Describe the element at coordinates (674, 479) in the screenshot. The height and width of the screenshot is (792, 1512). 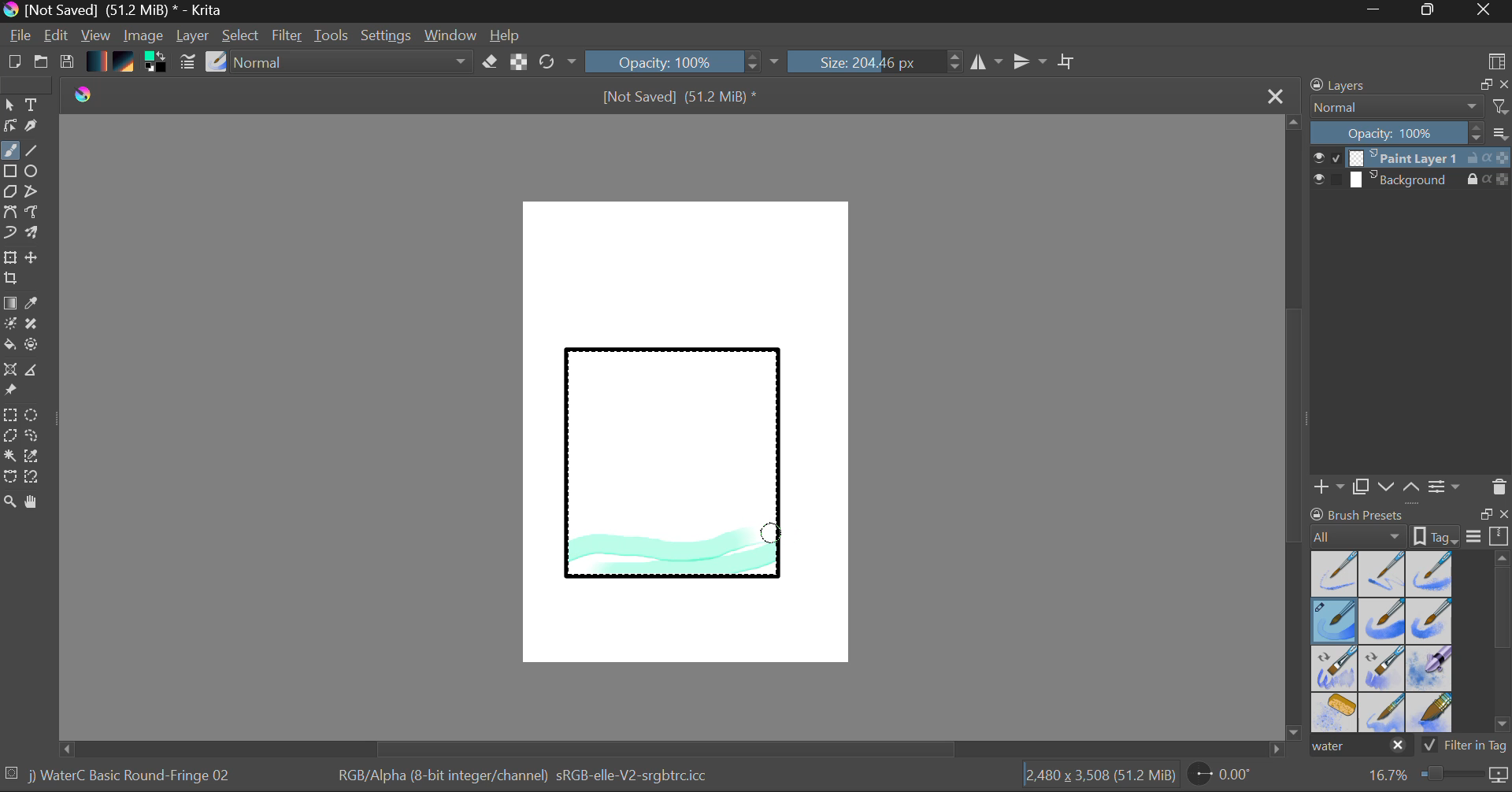
I see `Rectangle Shape Selected` at that location.